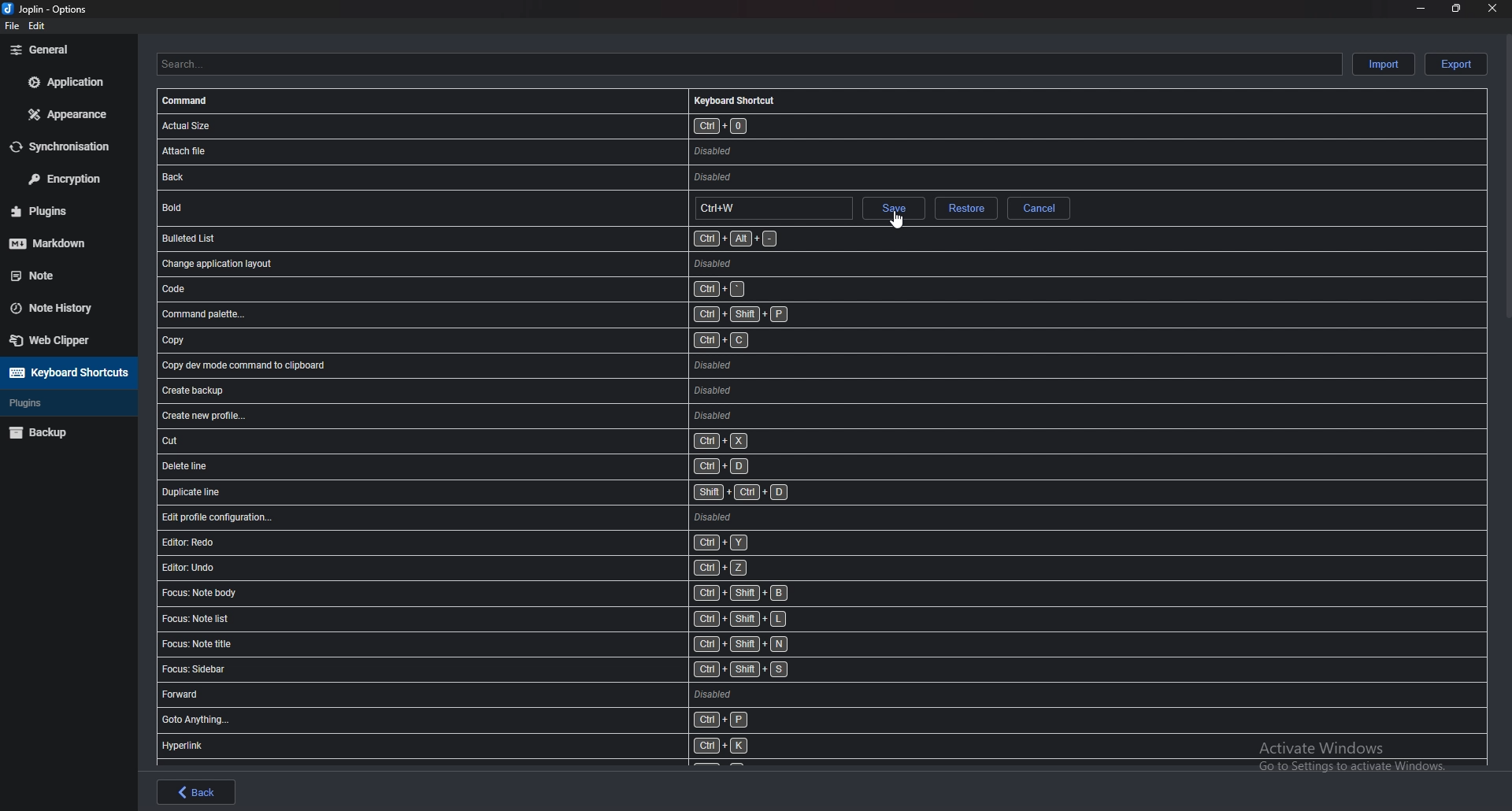 This screenshot has height=811, width=1512. What do you see at coordinates (526, 519) in the screenshot?
I see `shortcut` at bounding box center [526, 519].